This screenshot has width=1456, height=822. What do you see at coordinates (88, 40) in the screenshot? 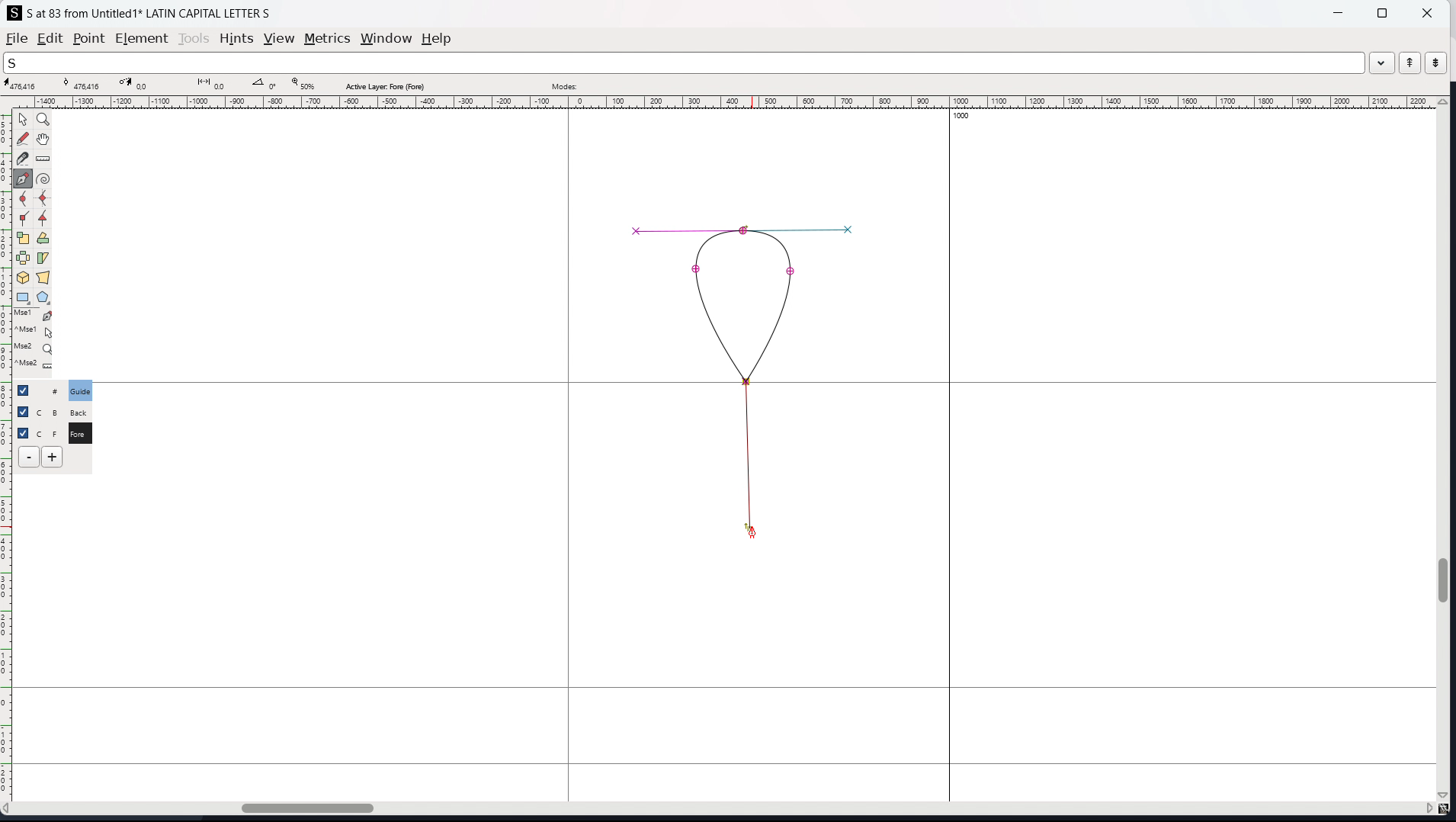
I see `point` at bounding box center [88, 40].